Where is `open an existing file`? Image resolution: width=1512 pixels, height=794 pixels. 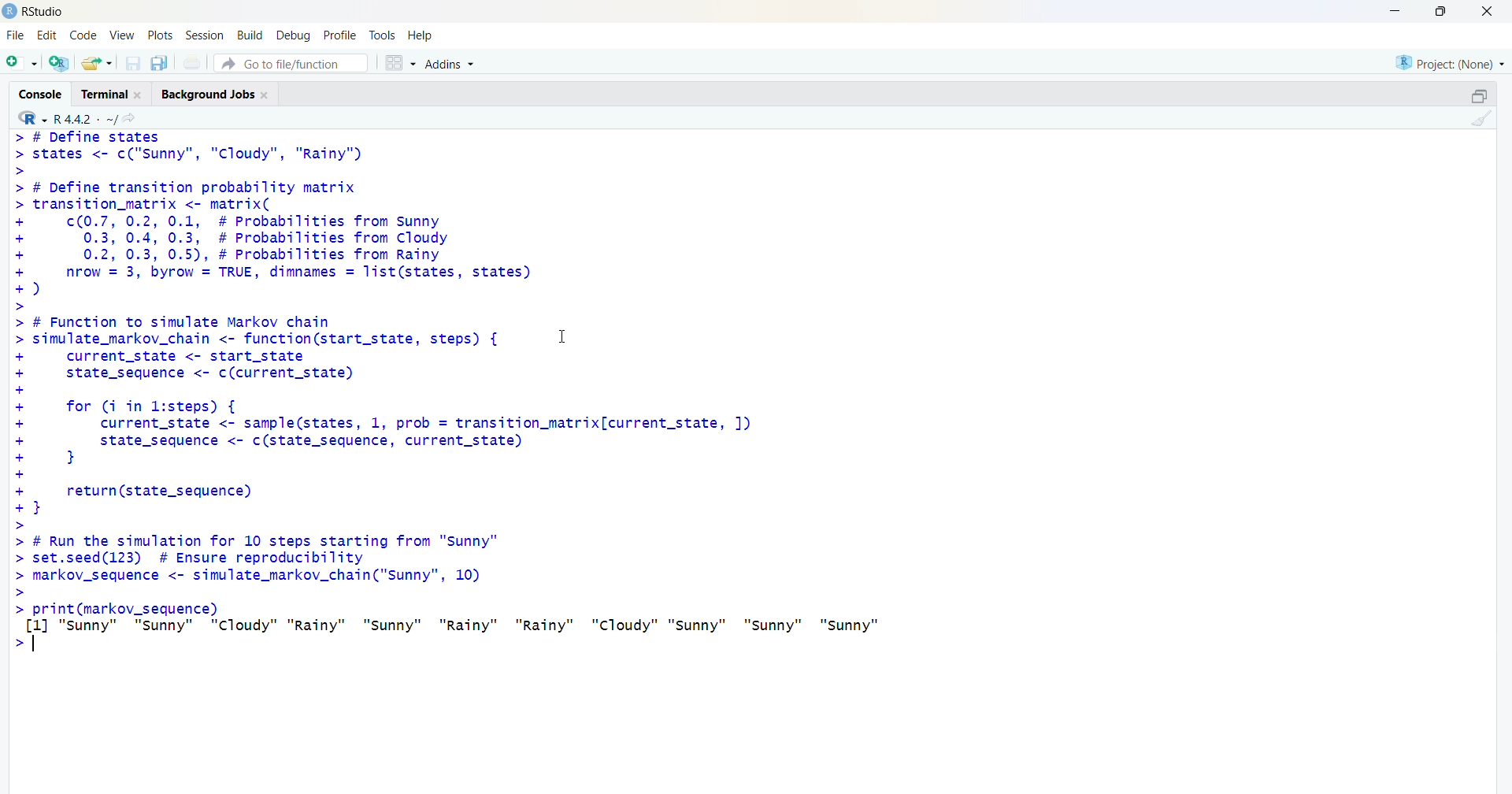
open an existing file is located at coordinates (97, 62).